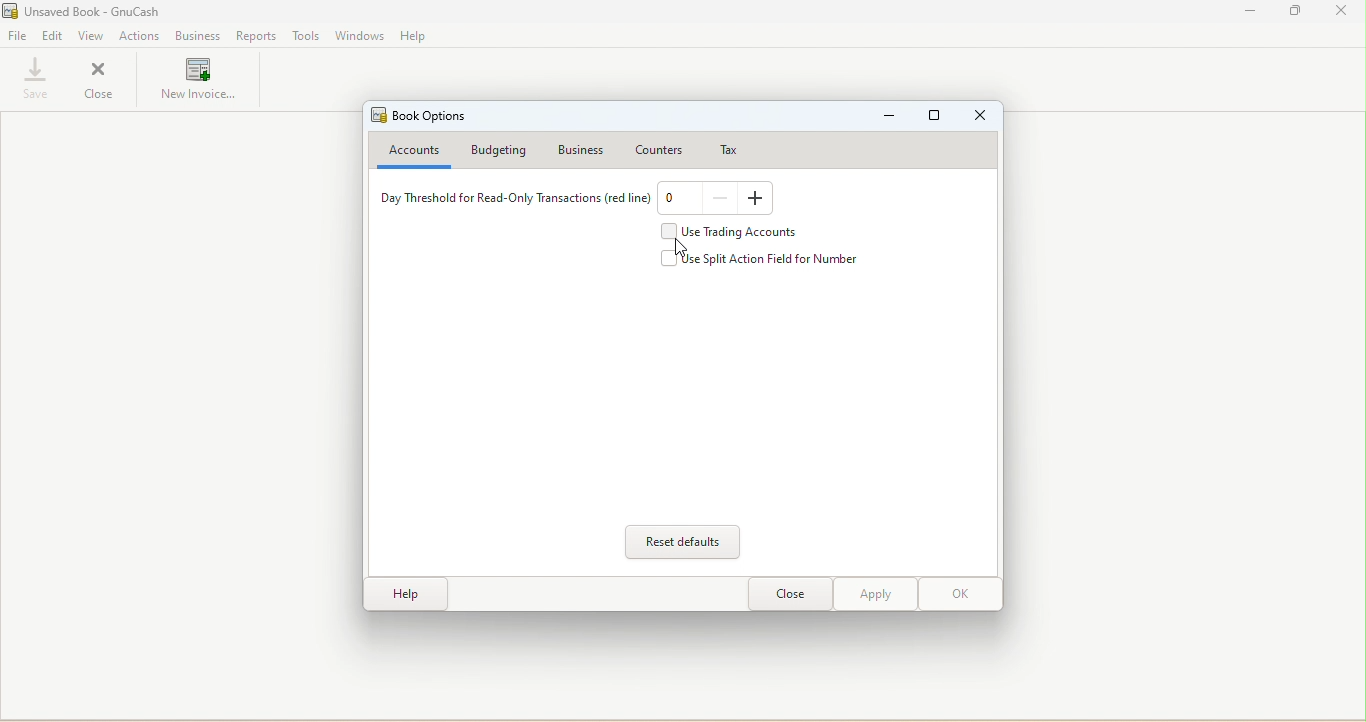 This screenshot has width=1366, height=722. I want to click on Apply, so click(874, 595).